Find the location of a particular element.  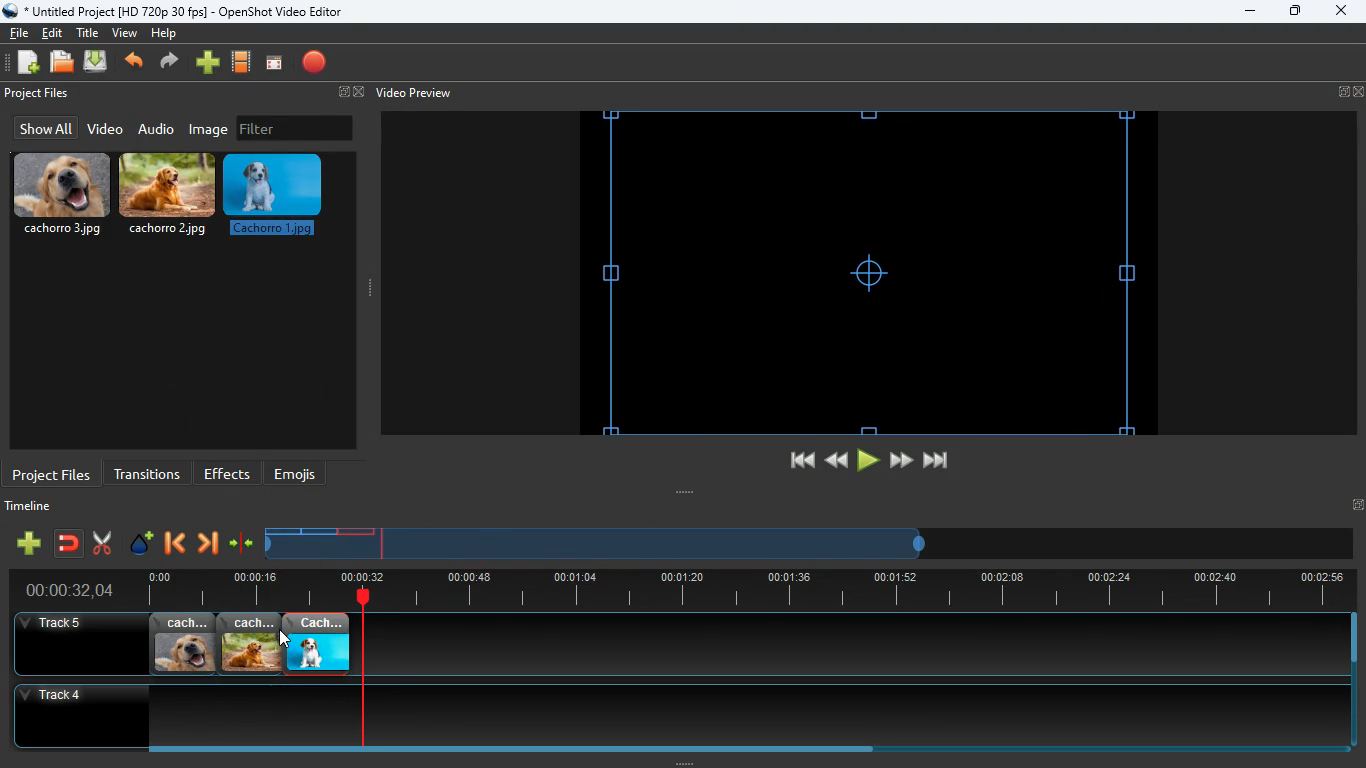

effect is located at coordinates (142, 545).